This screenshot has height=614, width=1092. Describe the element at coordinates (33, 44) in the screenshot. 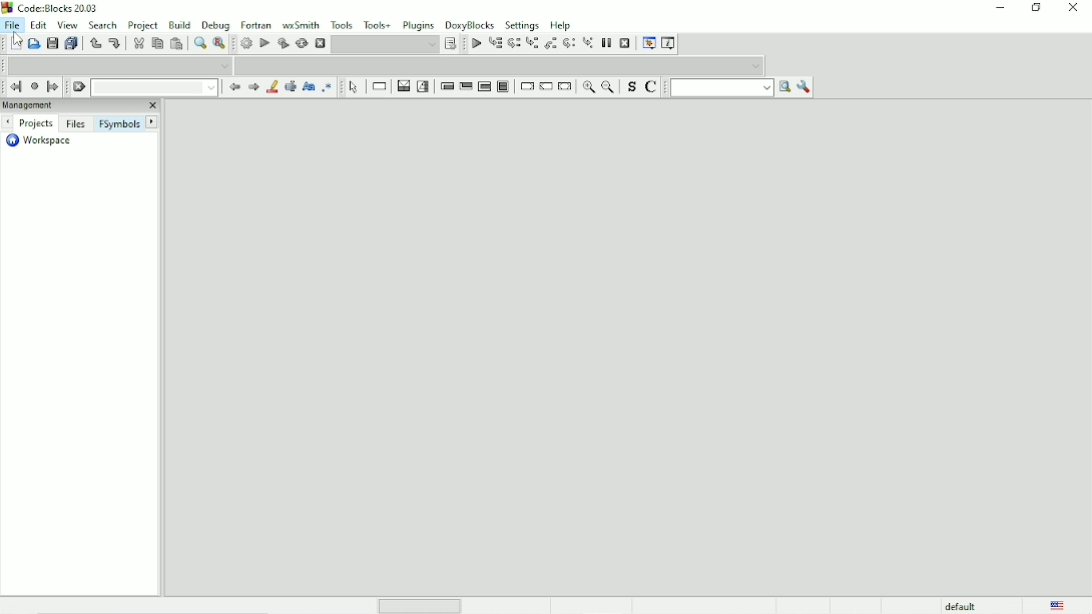

I see `Open` at that location.